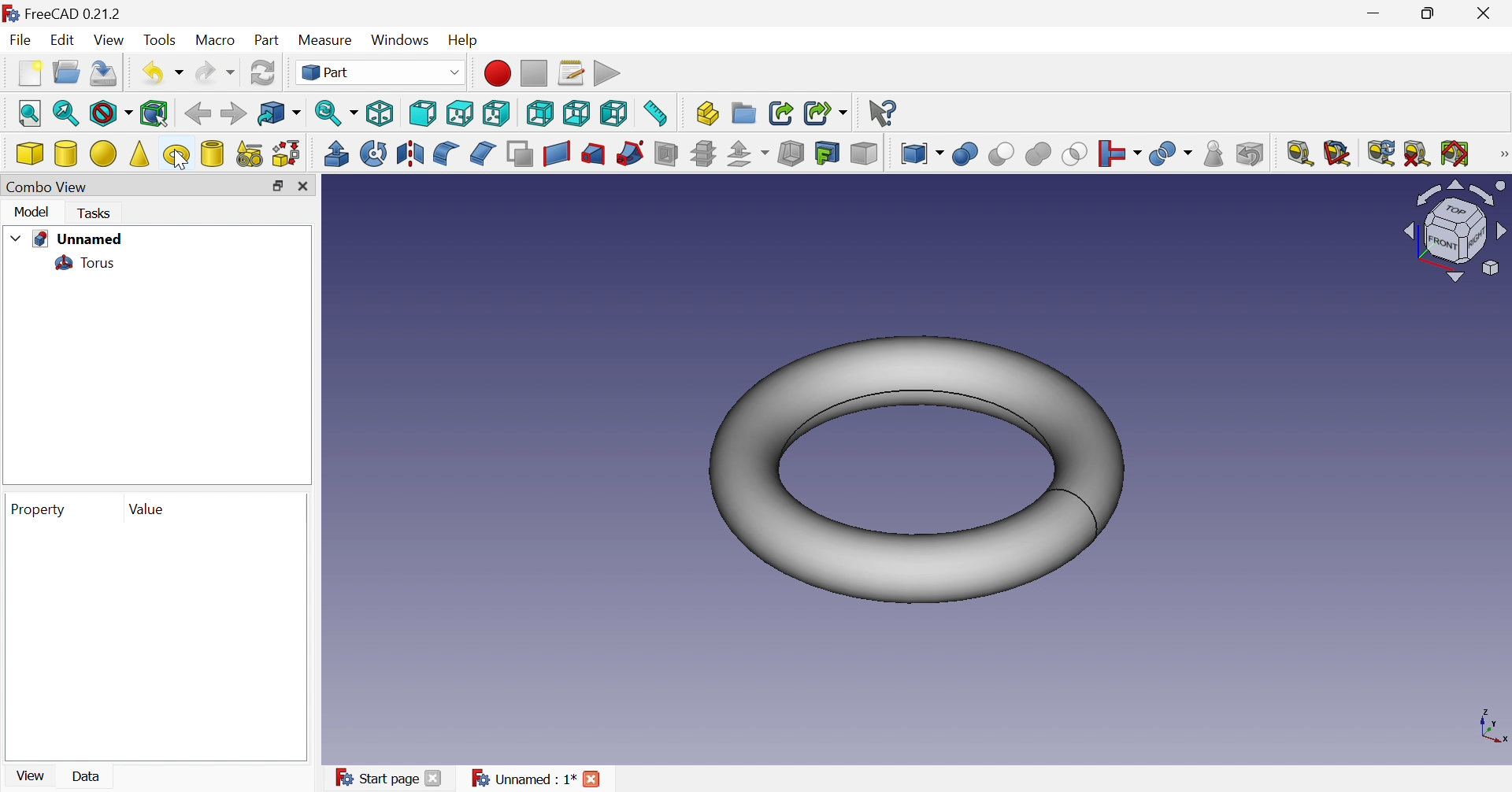 The image size is (1512, 792). What do you see at coordinates (1501, 154) in the screenshot?
I see `Measure` at bounding box center [1501, 154].